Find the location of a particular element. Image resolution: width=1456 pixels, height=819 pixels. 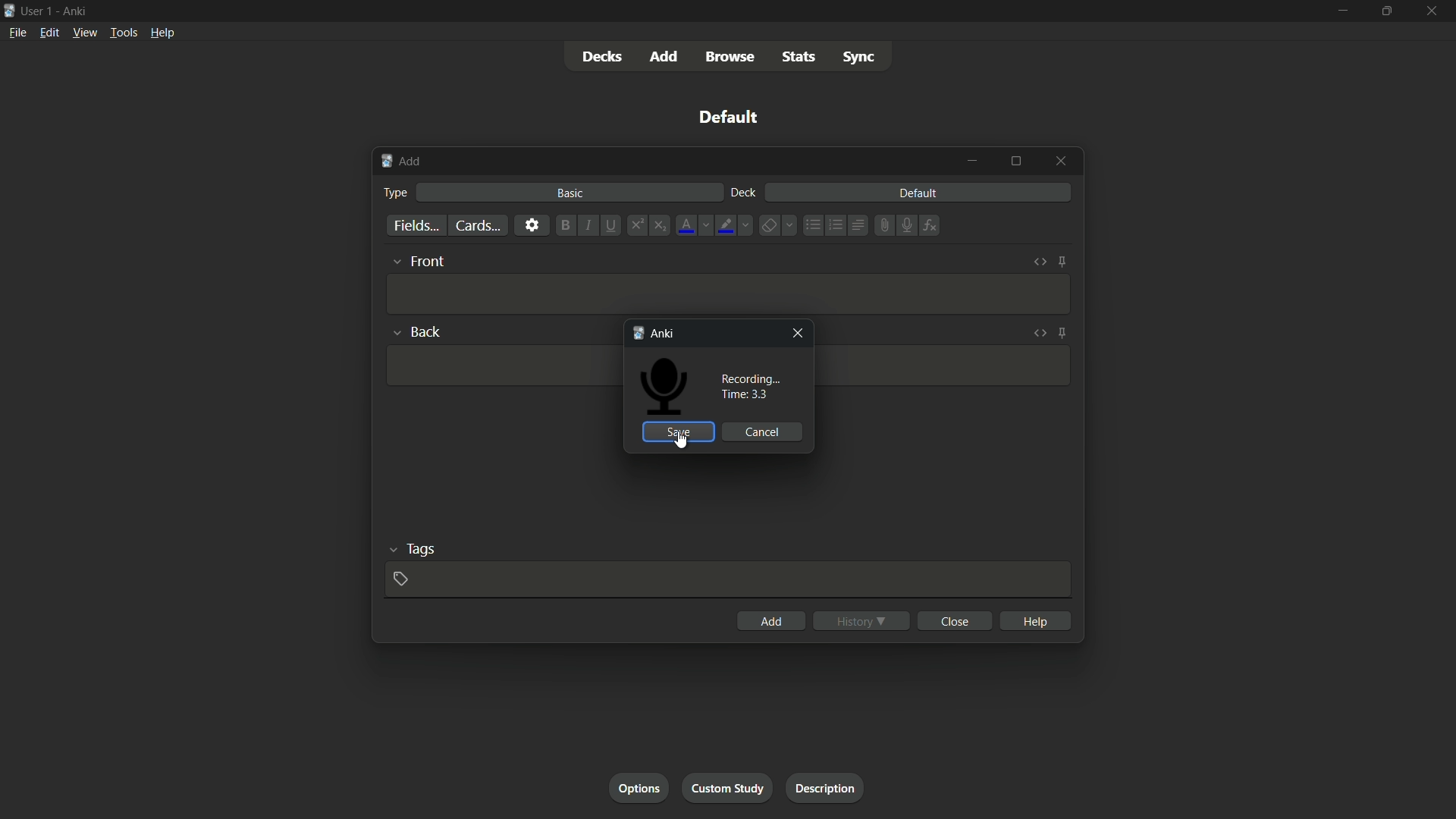

toggle html editor is located at coordinates (1040, 263).